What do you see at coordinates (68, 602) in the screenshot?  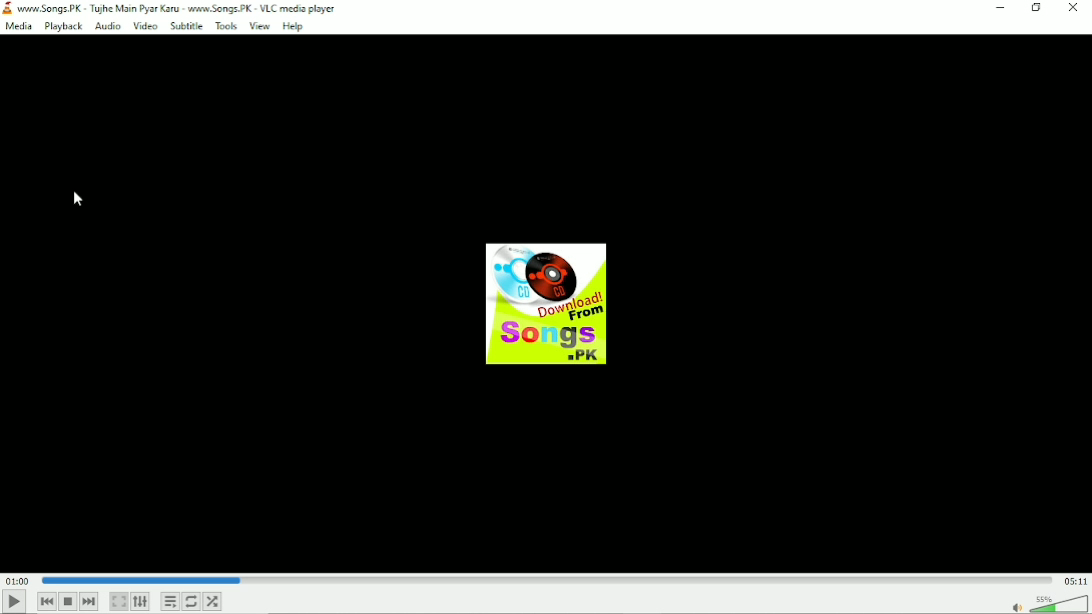 I see `Stop playback` at bounding box center [68, 602].